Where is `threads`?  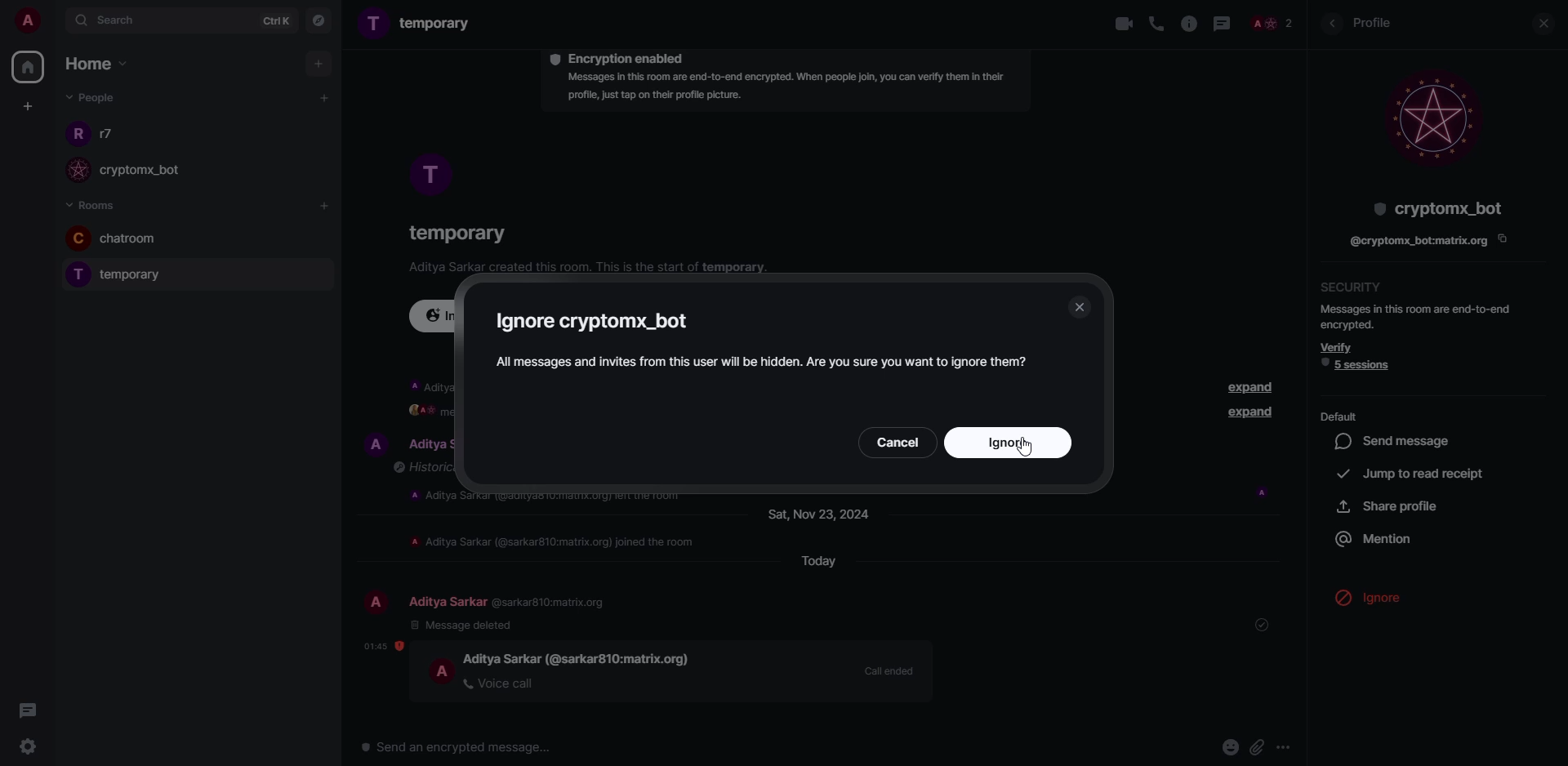 threads is located at coordinates (1222, 24).